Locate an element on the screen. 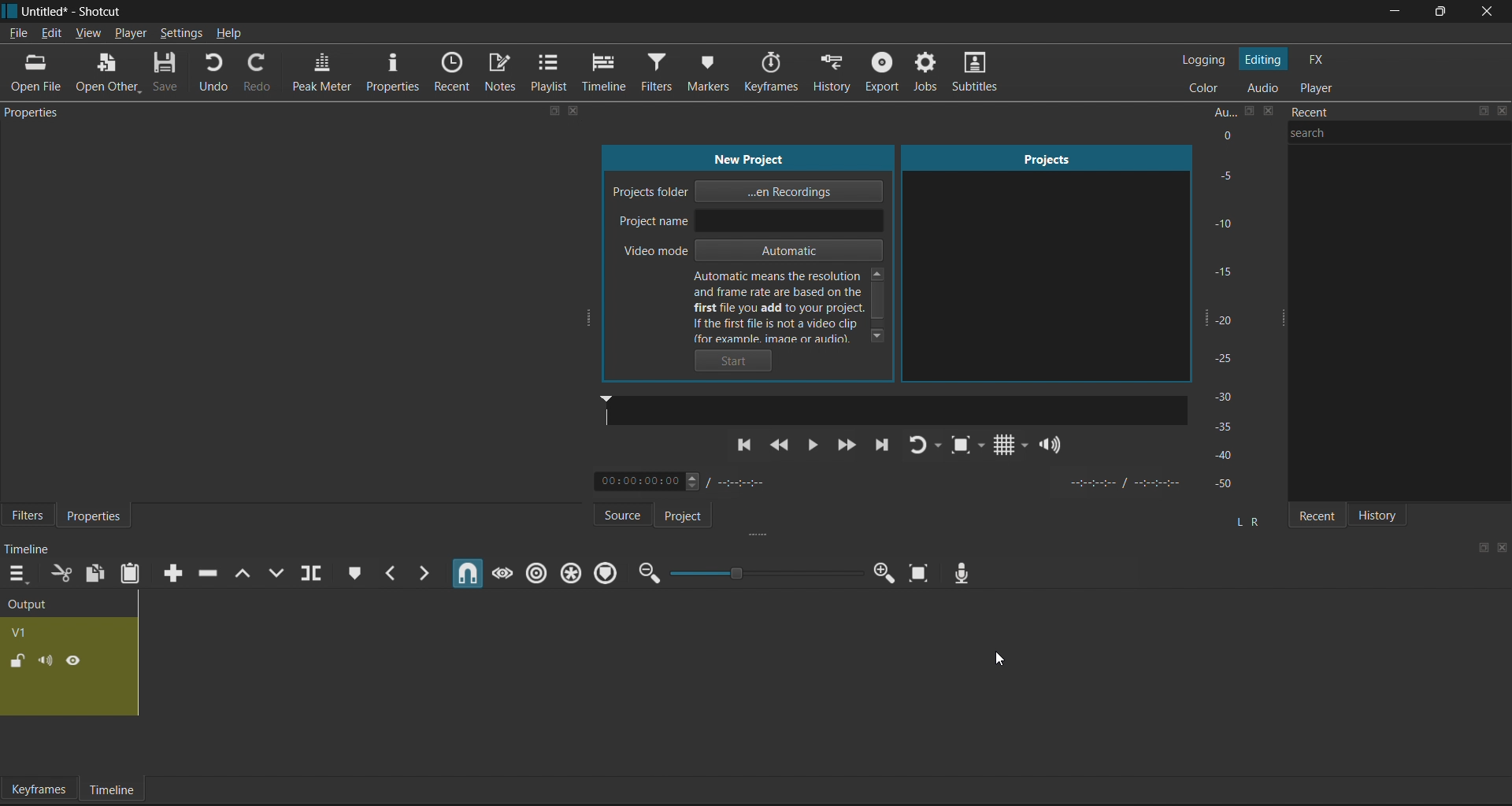 The width and height of the screenshot is (1512, 806). properties is located at coordinates (36, 113).